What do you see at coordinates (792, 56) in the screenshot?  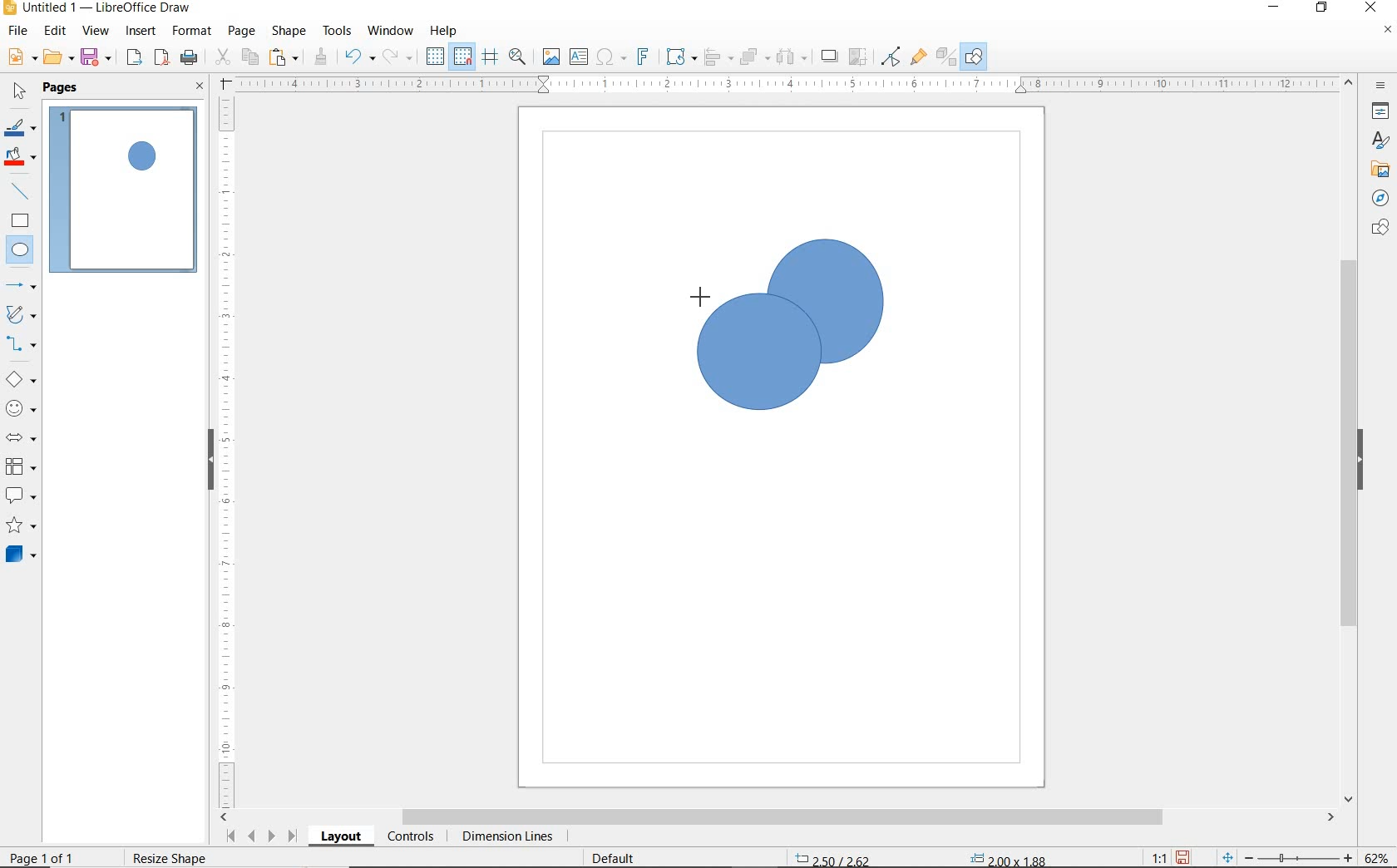 I see `SELECT AT LEAST 3 OBJECTS TO DISTRIBUTE` at bounding box center [792, 56].